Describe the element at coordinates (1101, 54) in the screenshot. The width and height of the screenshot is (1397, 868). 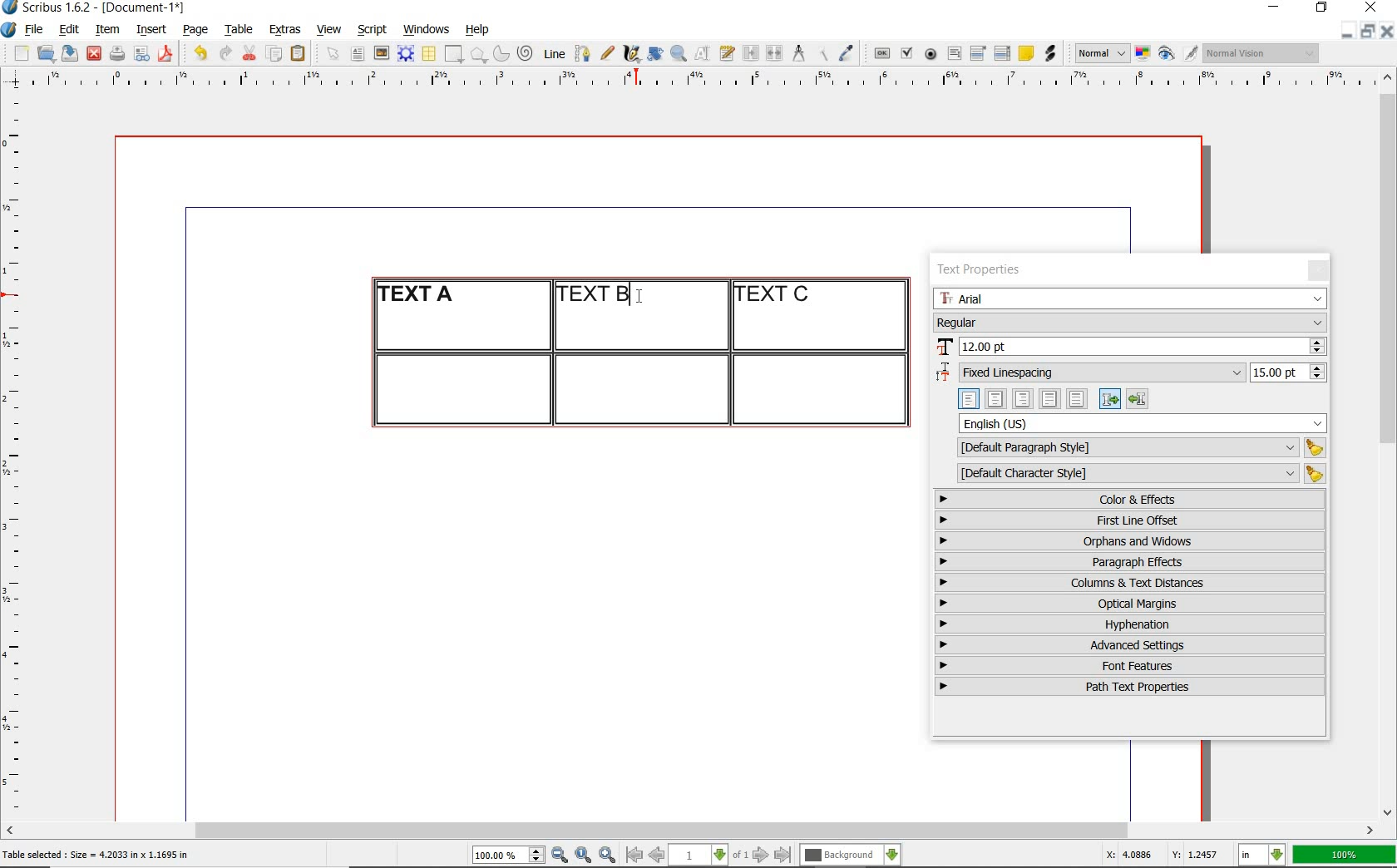
I see `select image preview mode` at that location.